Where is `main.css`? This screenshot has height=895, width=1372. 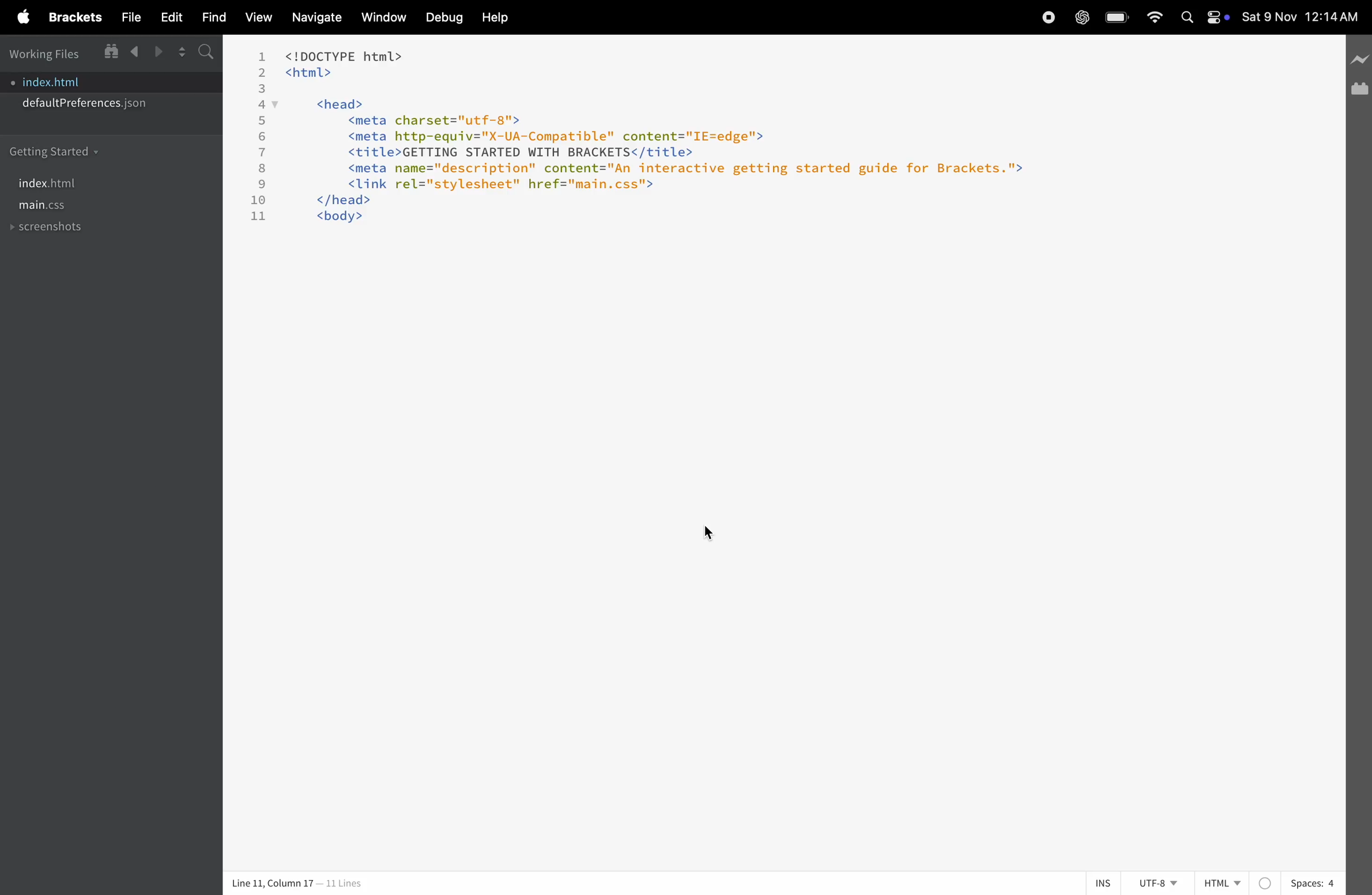 main.css is located at coordinates (104, 206).